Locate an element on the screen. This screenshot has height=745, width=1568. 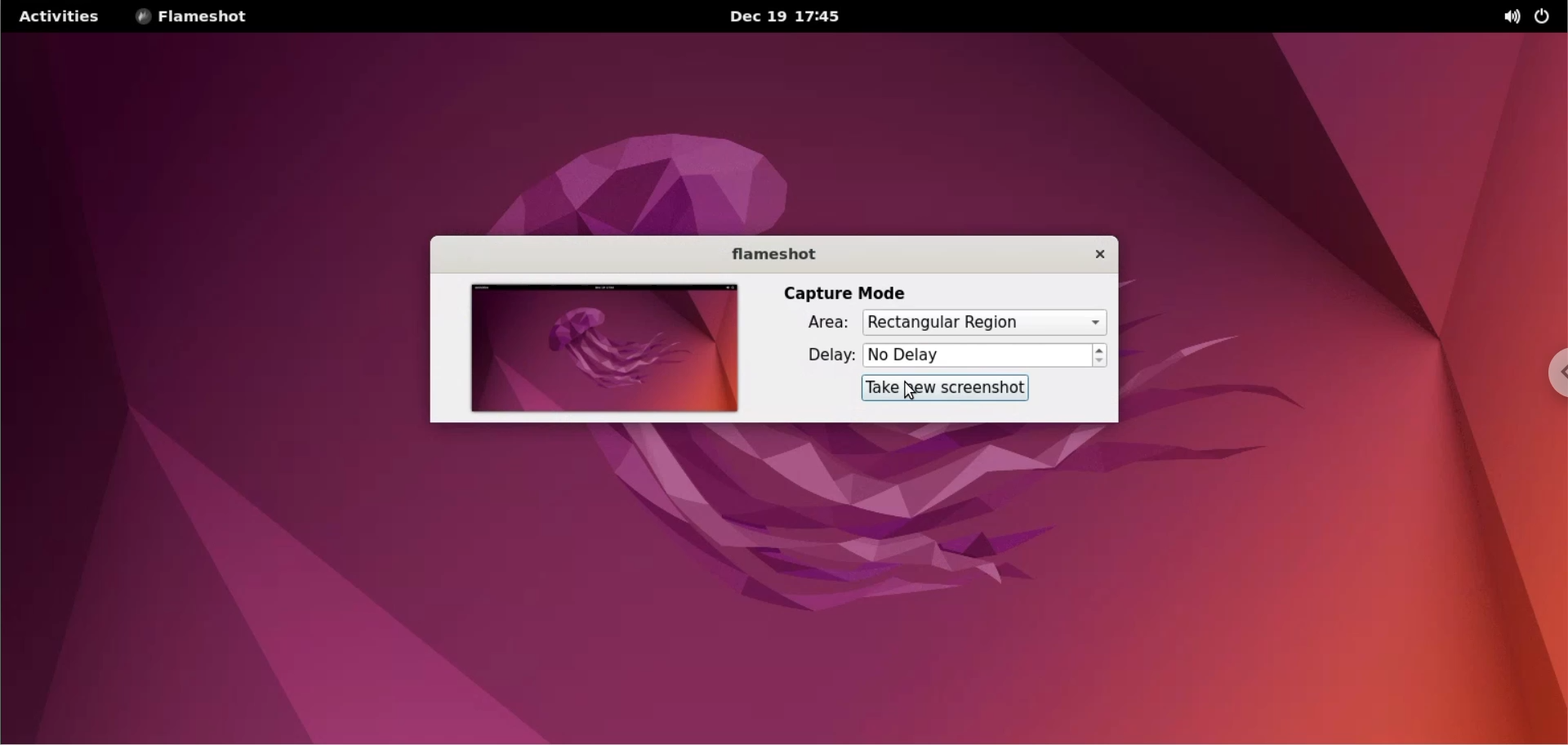
take screenshot  is located at coordinates (947, 388).